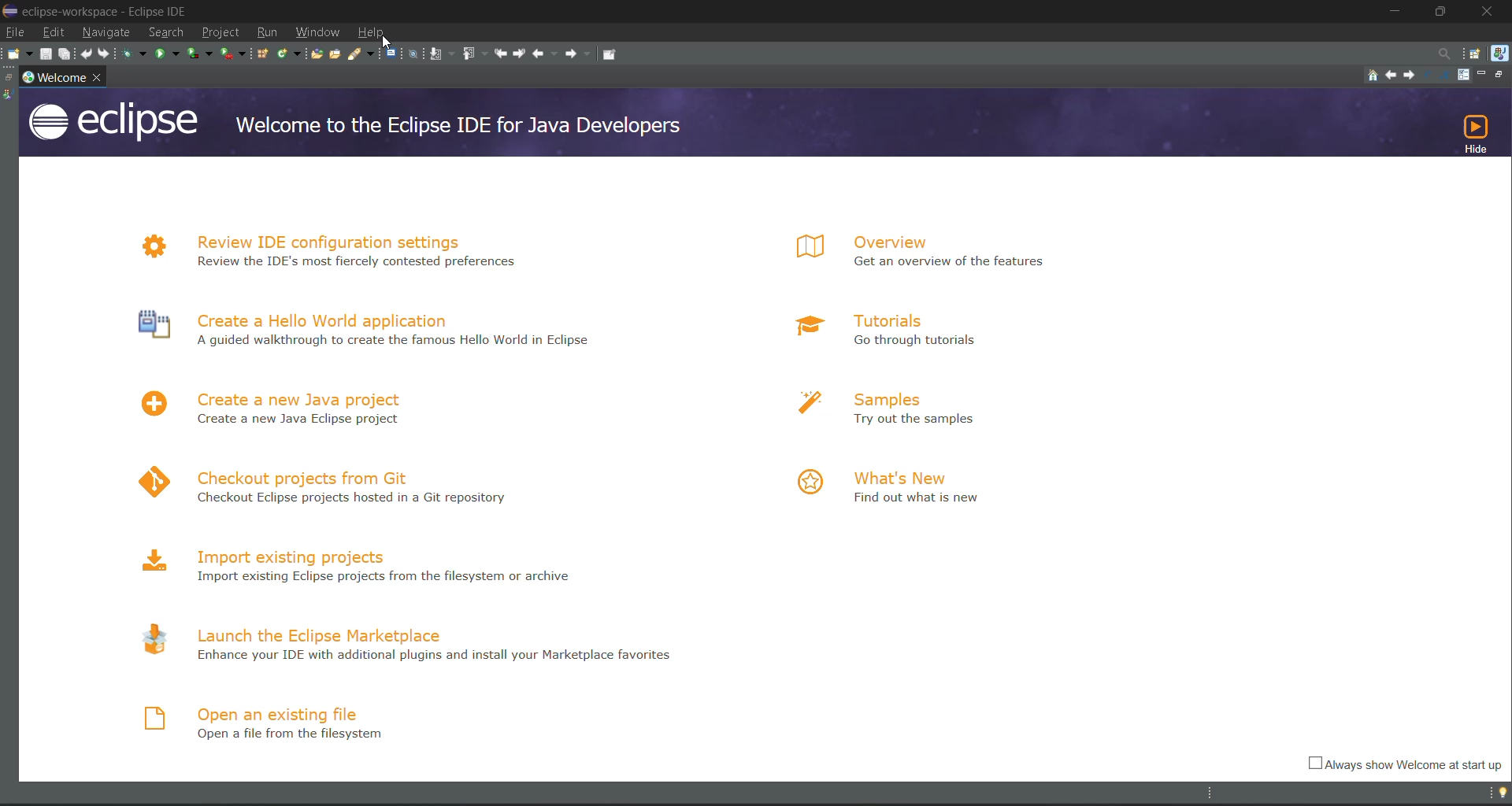 The width and height of the screenshot is (1512, 806). I want to click on A guided walkthrough to create the famous Hello World in Eclipse, so click(402, 345).